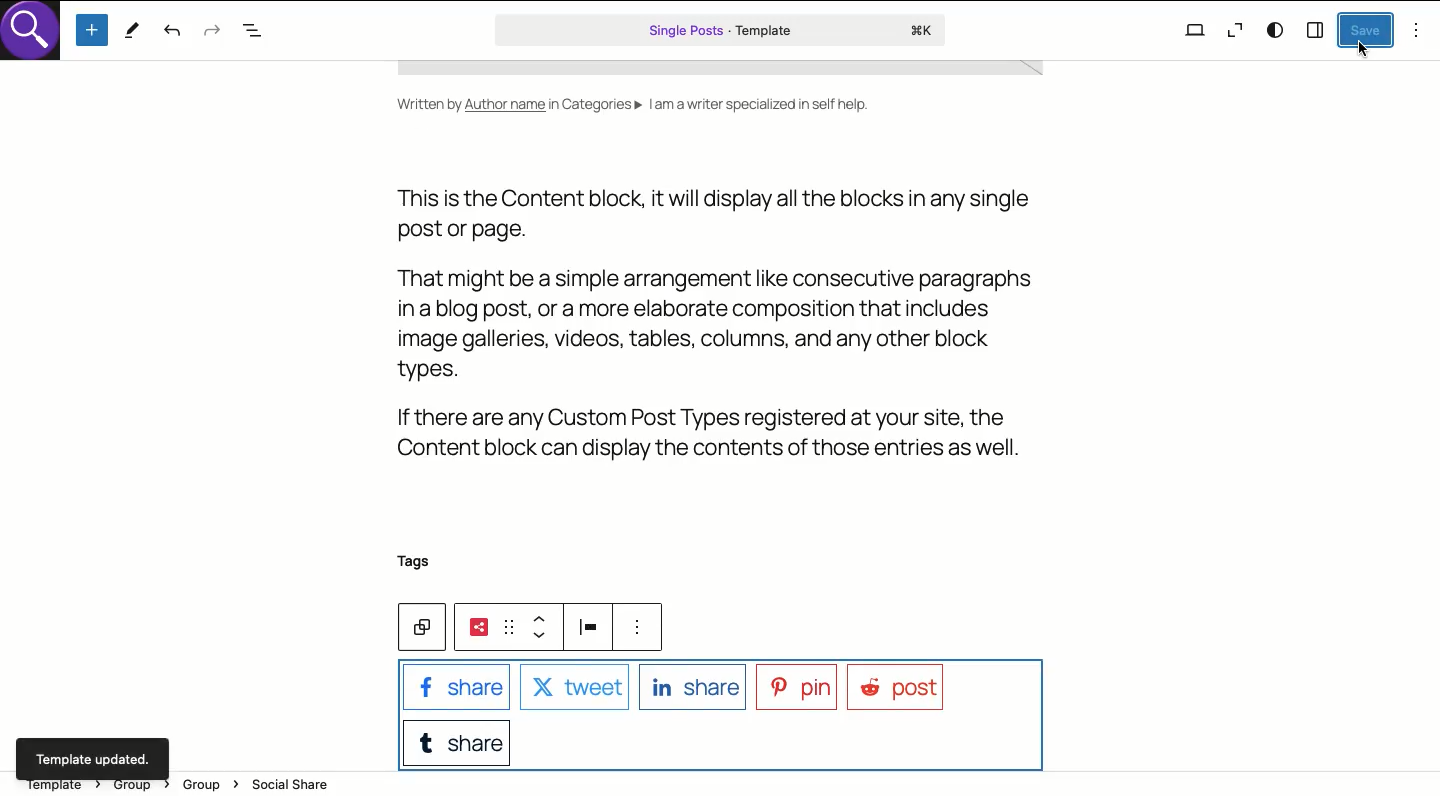  I want to click on Drag, so click(512, 629).